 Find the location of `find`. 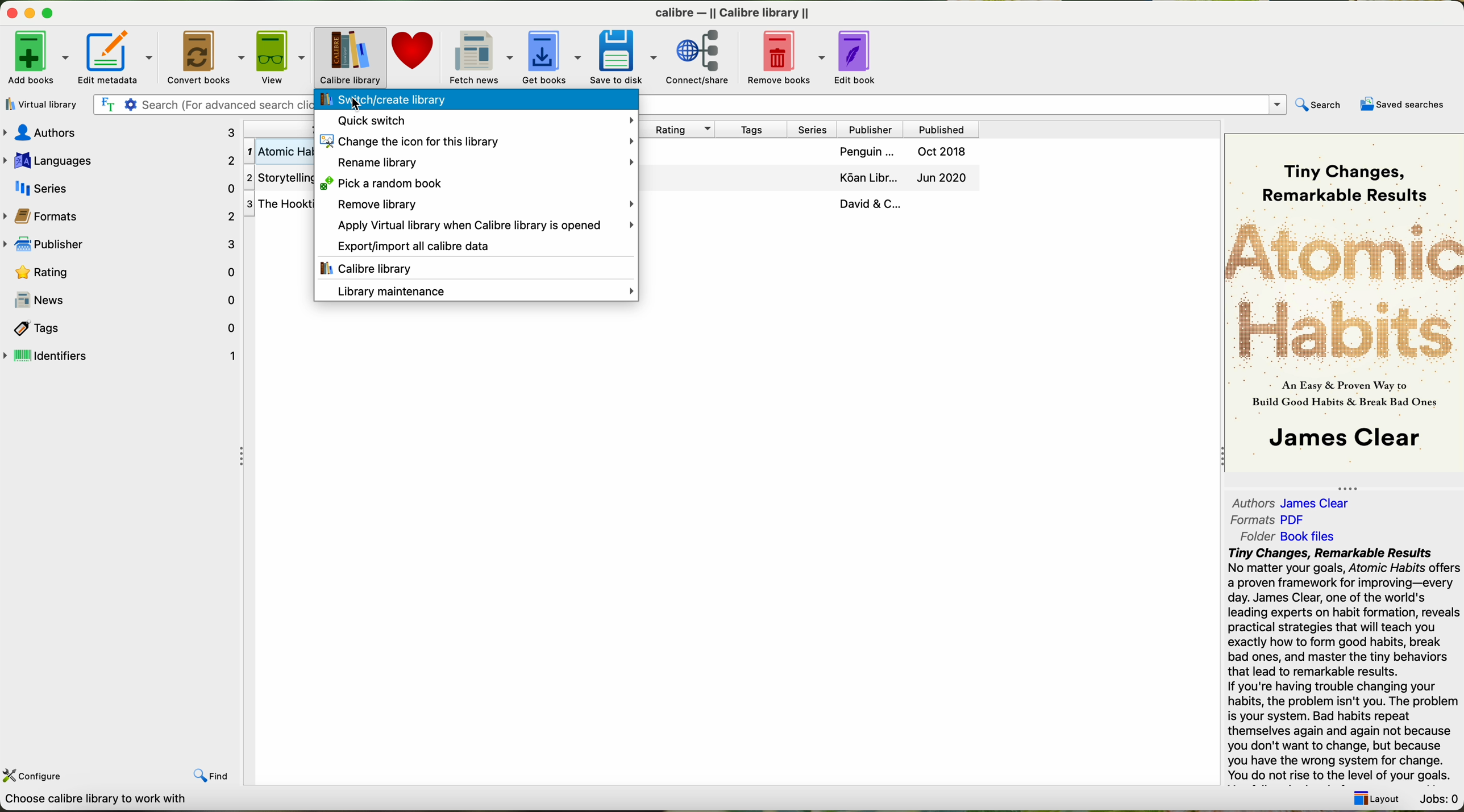

find is located at coordinates (202, 767).